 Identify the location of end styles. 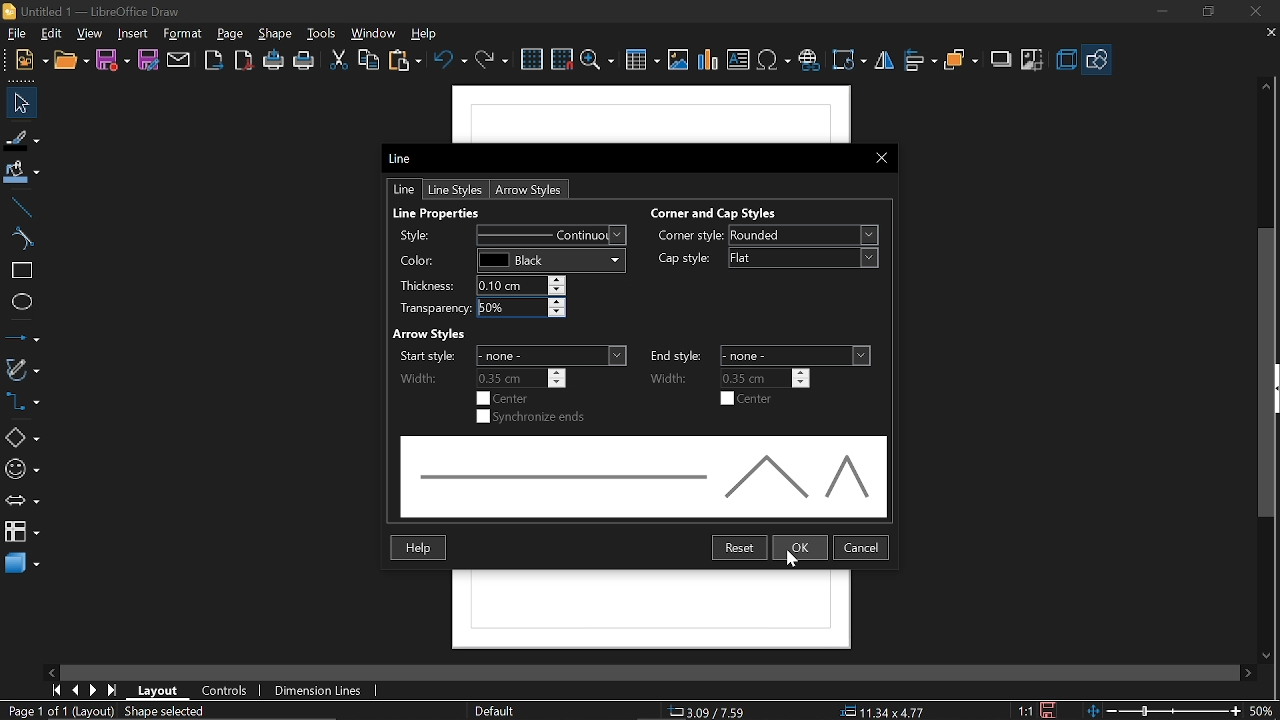
(757, 355).